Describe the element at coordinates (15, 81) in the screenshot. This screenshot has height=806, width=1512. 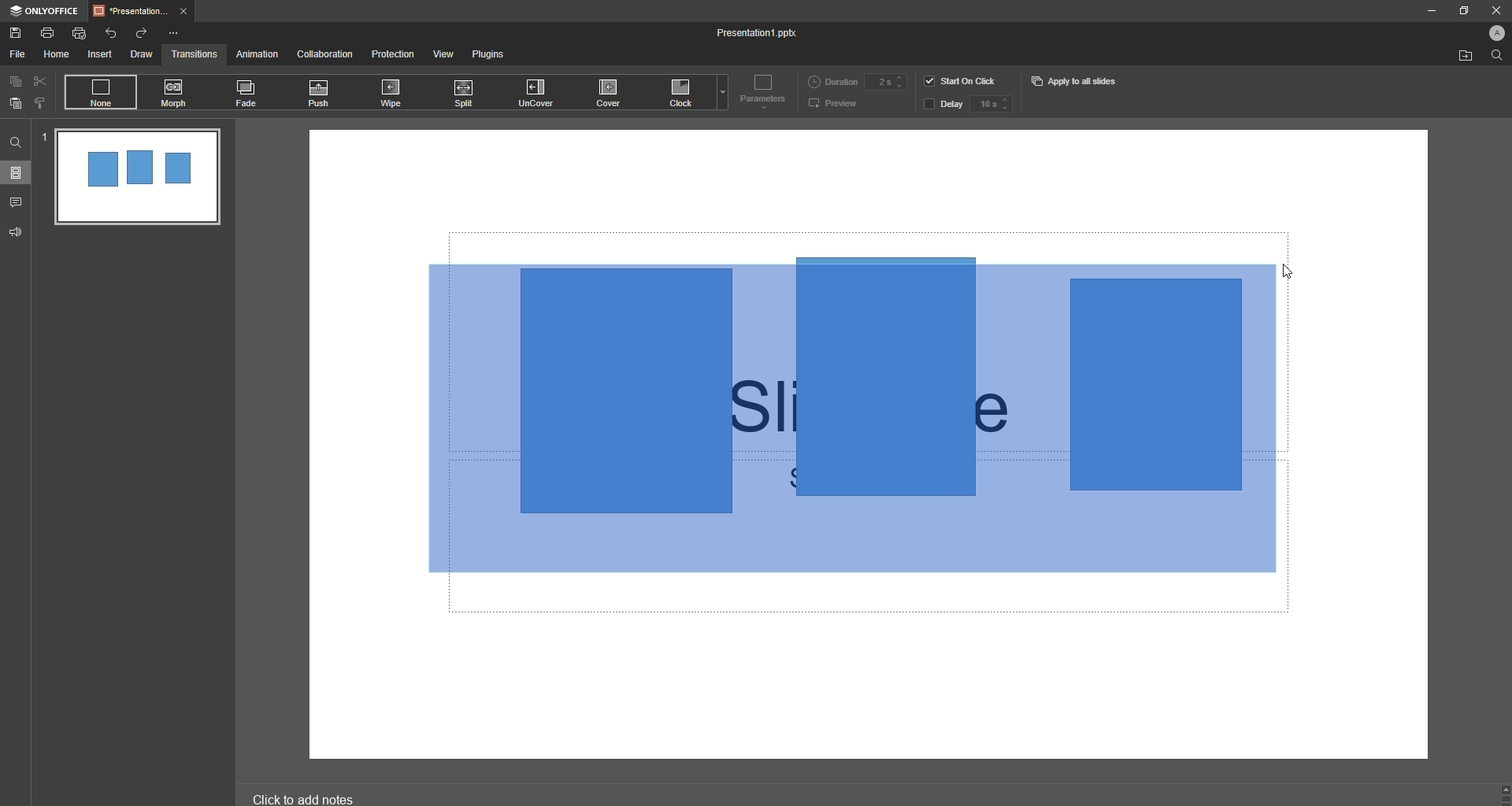
I see `Copy` at that location.